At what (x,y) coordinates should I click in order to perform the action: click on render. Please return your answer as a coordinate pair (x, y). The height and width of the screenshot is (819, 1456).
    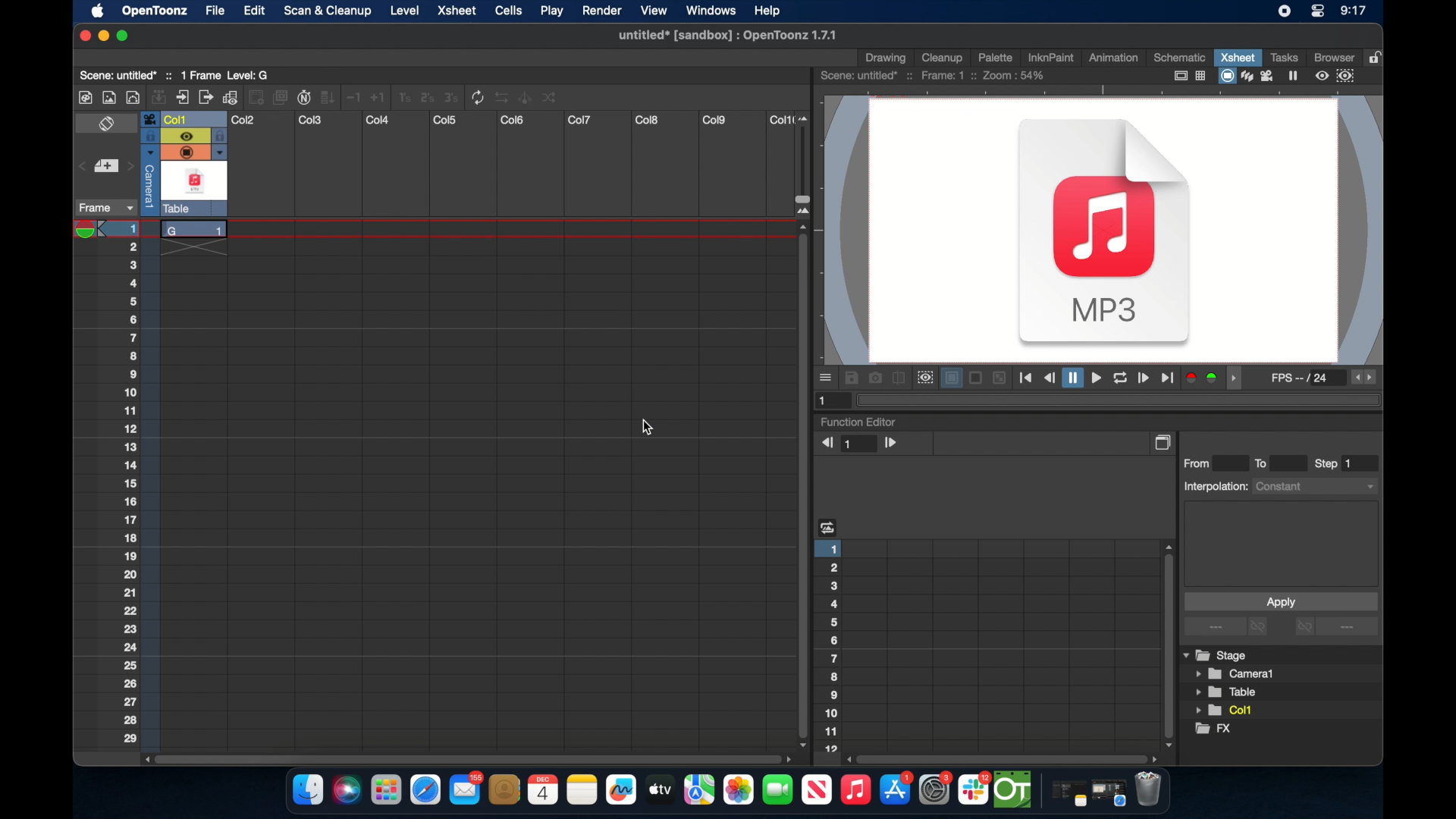
    Looking at the image, I should click on (602, 11).